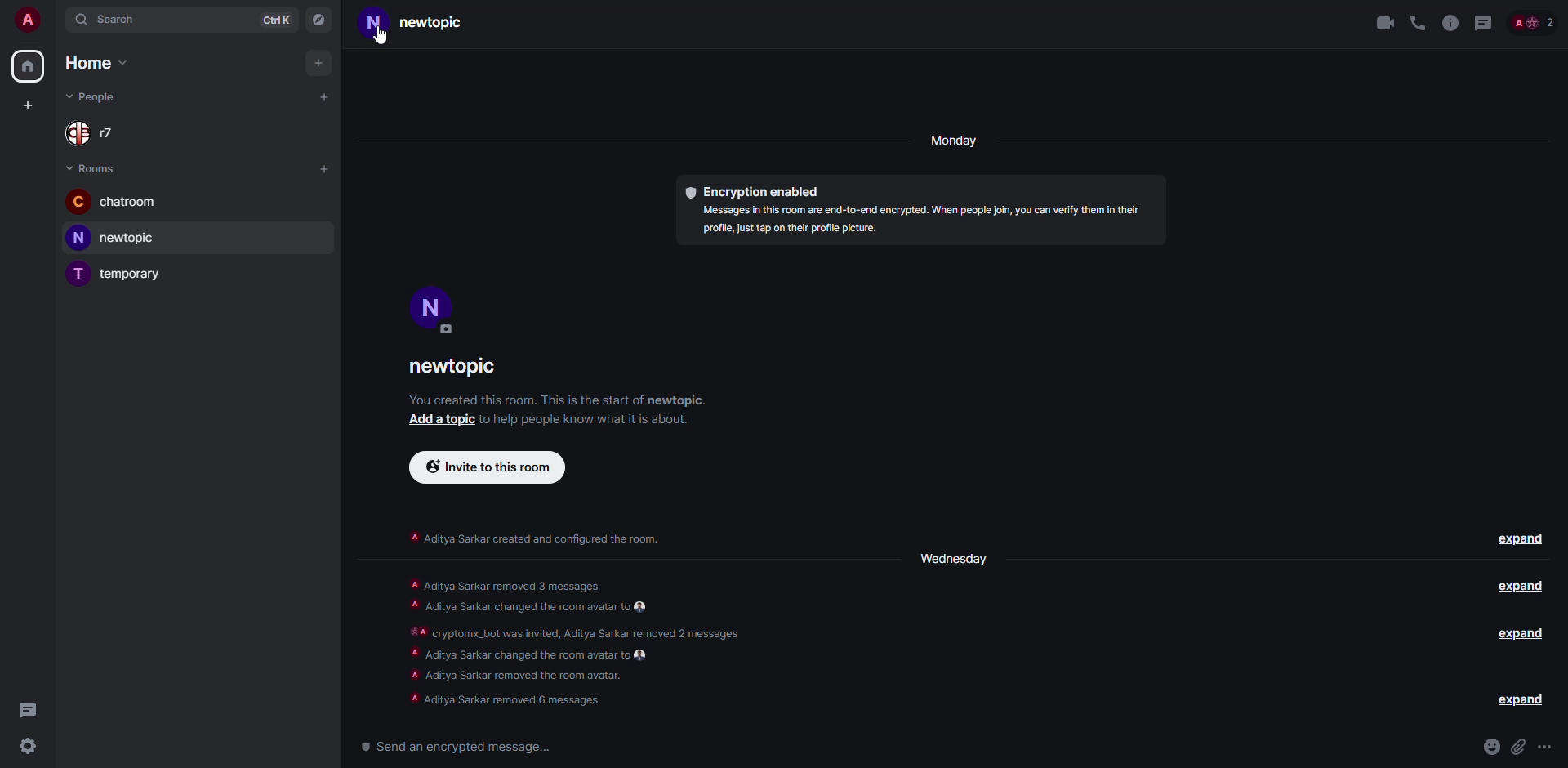  What do you see at coordinates (1418, 25) in the screenshot?
I see `voice` at bounding box center [1418, 25].